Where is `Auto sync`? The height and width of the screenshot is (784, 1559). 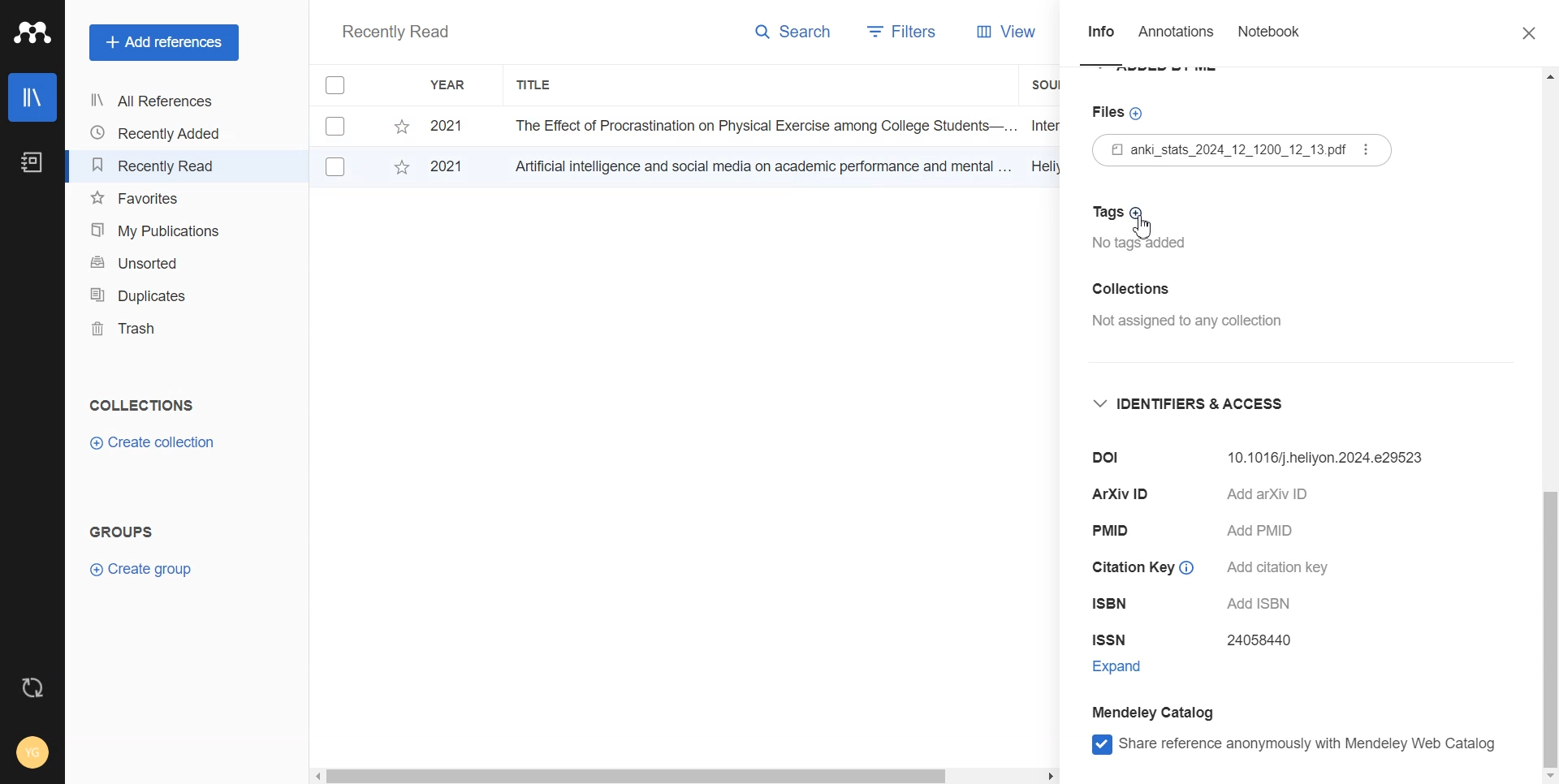 Auto sync is located at coordinates (30, 687).